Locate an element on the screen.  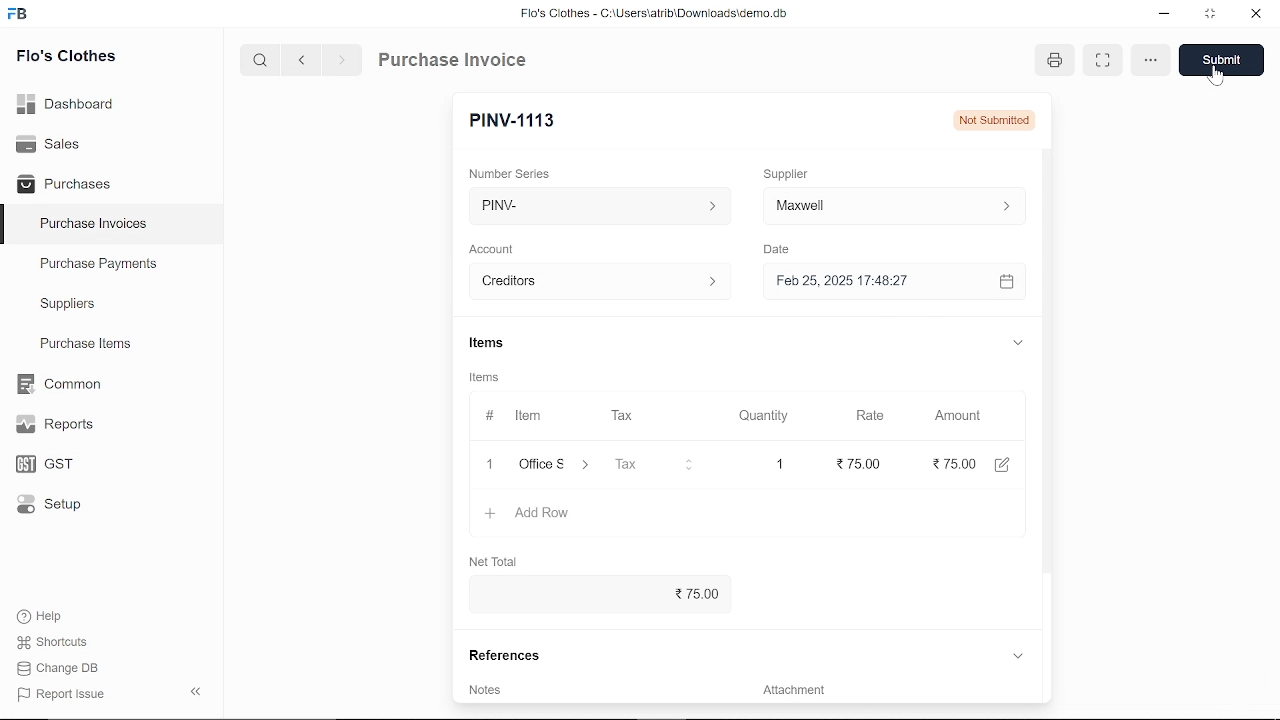
Amount is located at coordinates (956, 414).